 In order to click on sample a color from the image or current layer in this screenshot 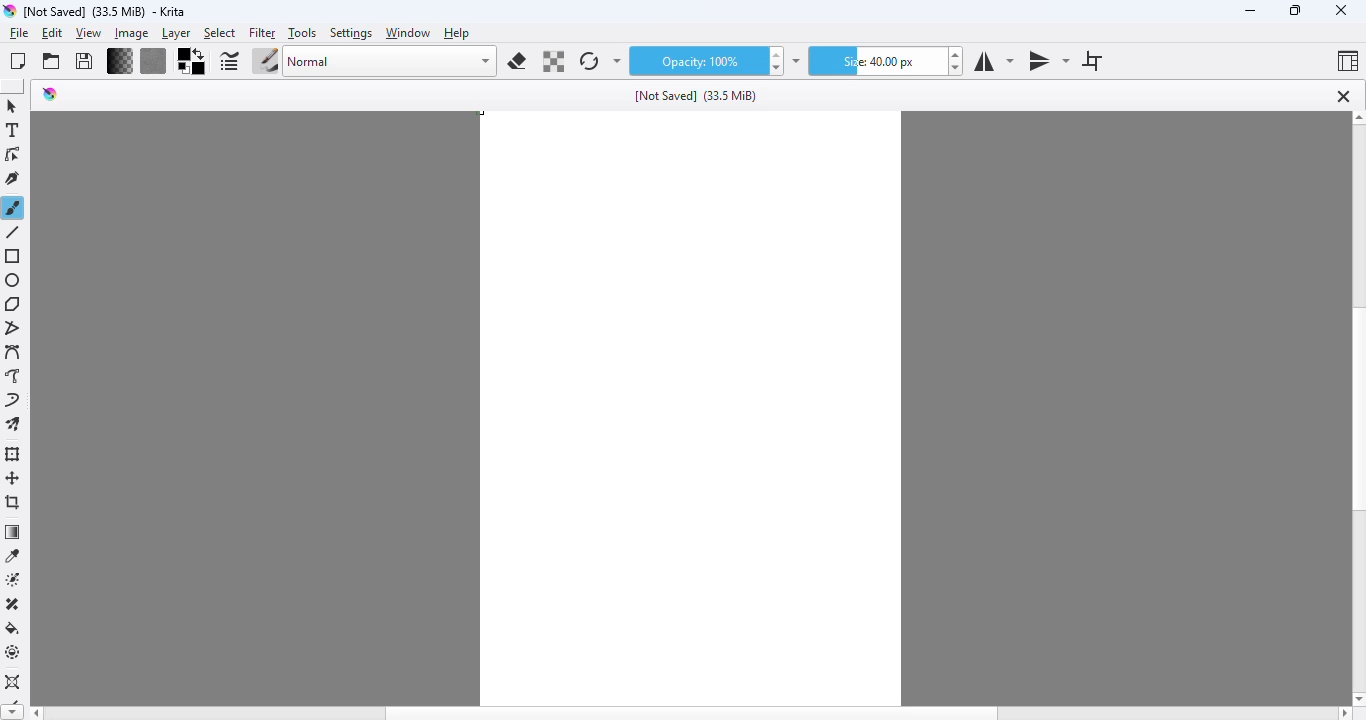, I will do `click(15, 557)`.